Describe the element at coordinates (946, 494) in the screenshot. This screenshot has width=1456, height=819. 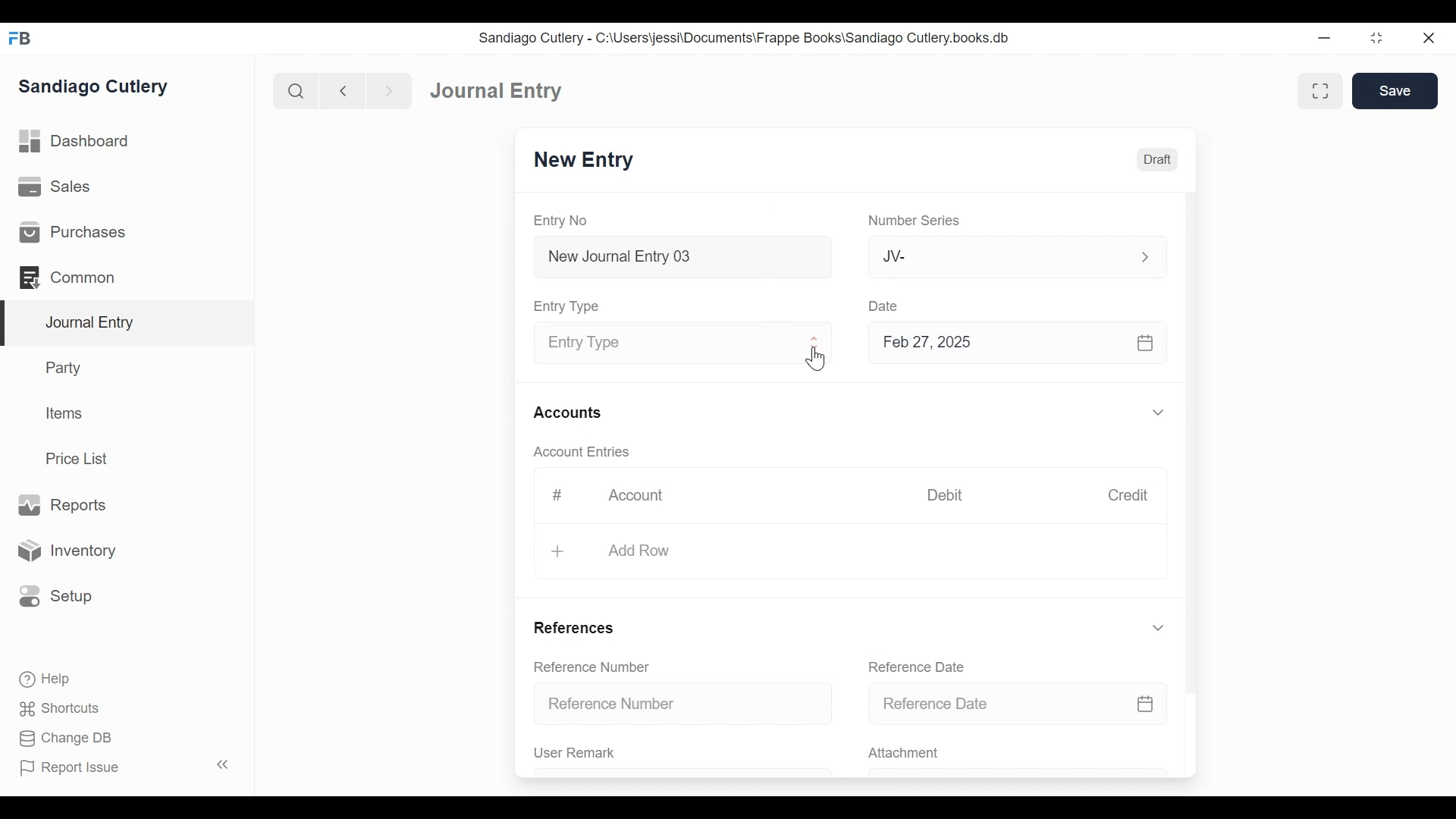
I see `Debit` at that location.